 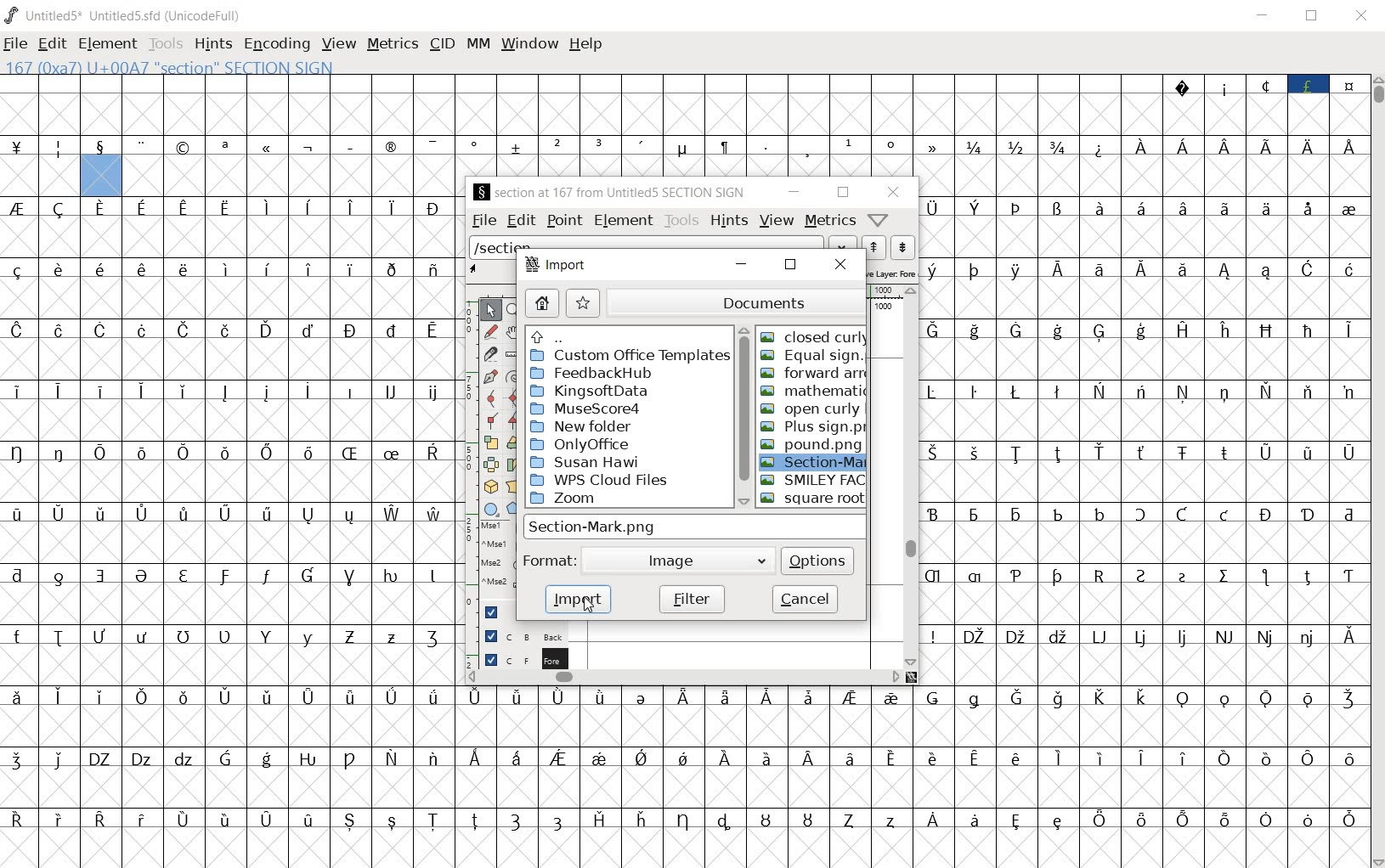 I want to click on SQUARE ROOT, so click(x=815, y=500).